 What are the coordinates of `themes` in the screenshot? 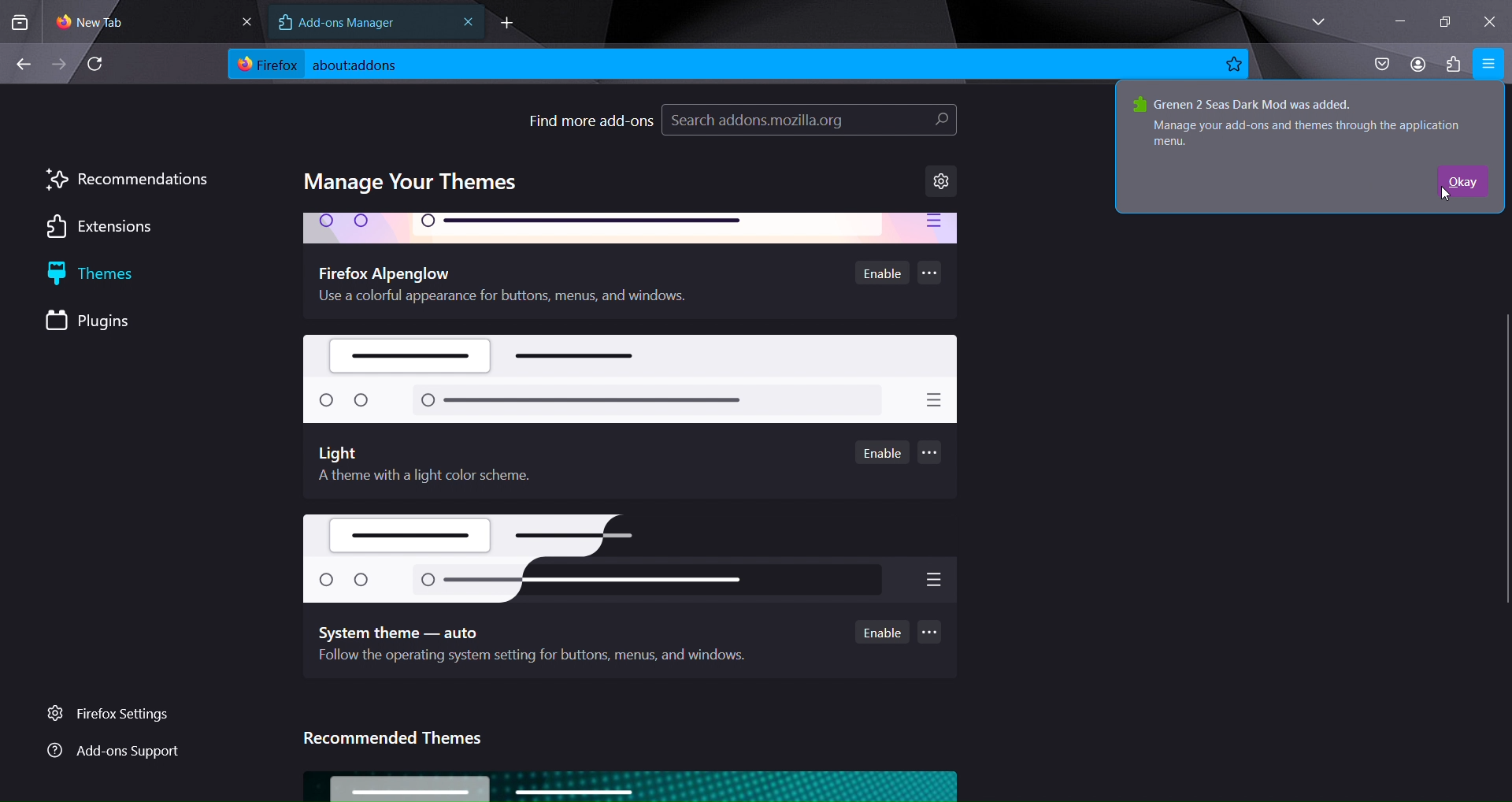 It's located at (112, 275).